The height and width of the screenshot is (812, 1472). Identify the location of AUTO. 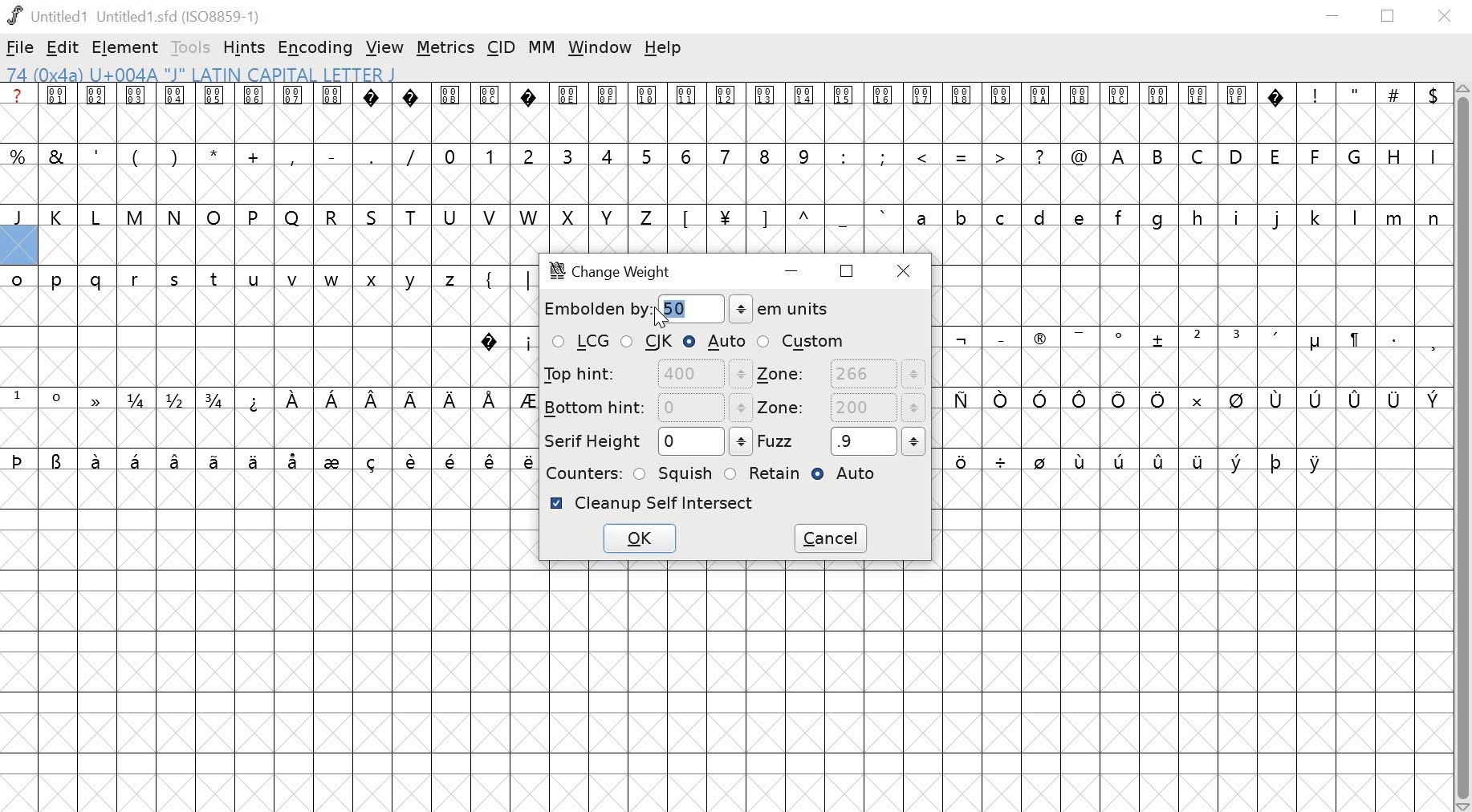
(850, 476).